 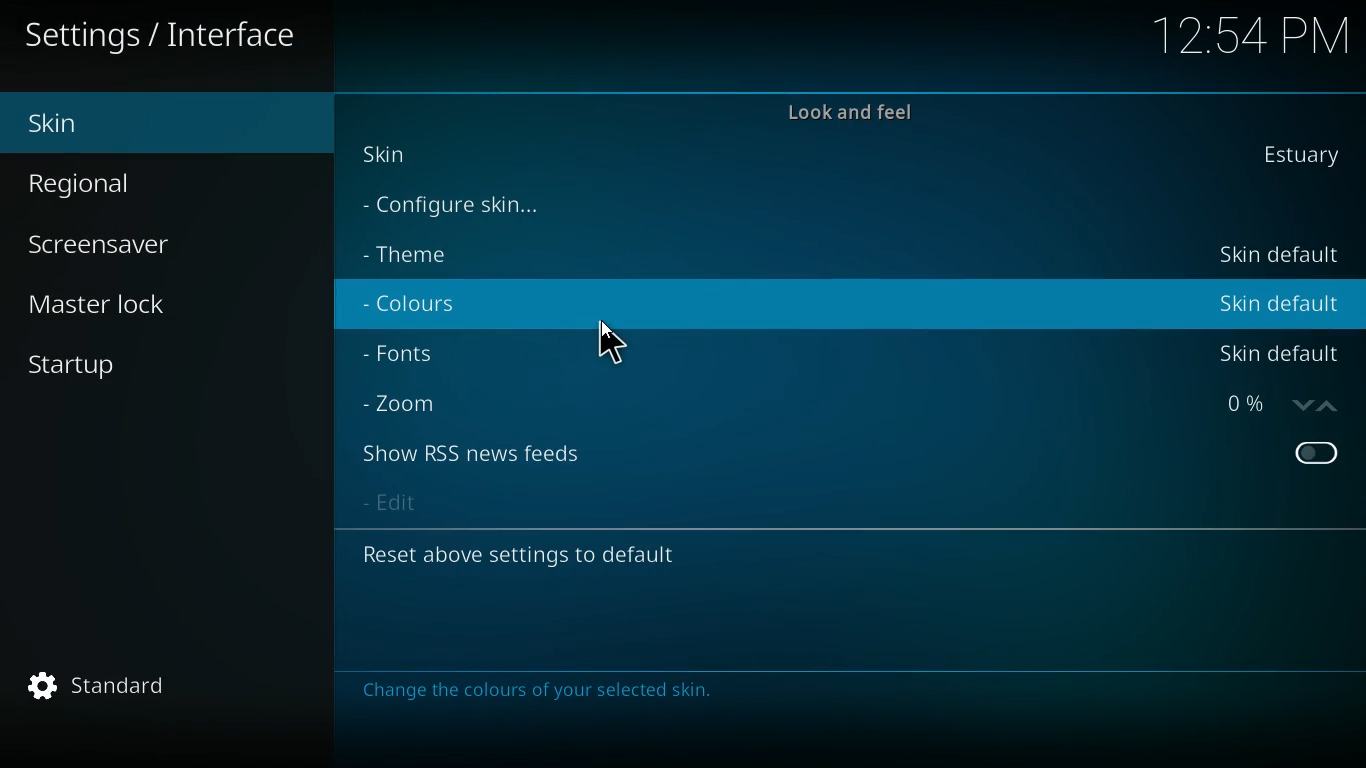 What do you see at coordinates (476, 455) in the screenshot?
I see `show rss` at bounding box center [476, 455].